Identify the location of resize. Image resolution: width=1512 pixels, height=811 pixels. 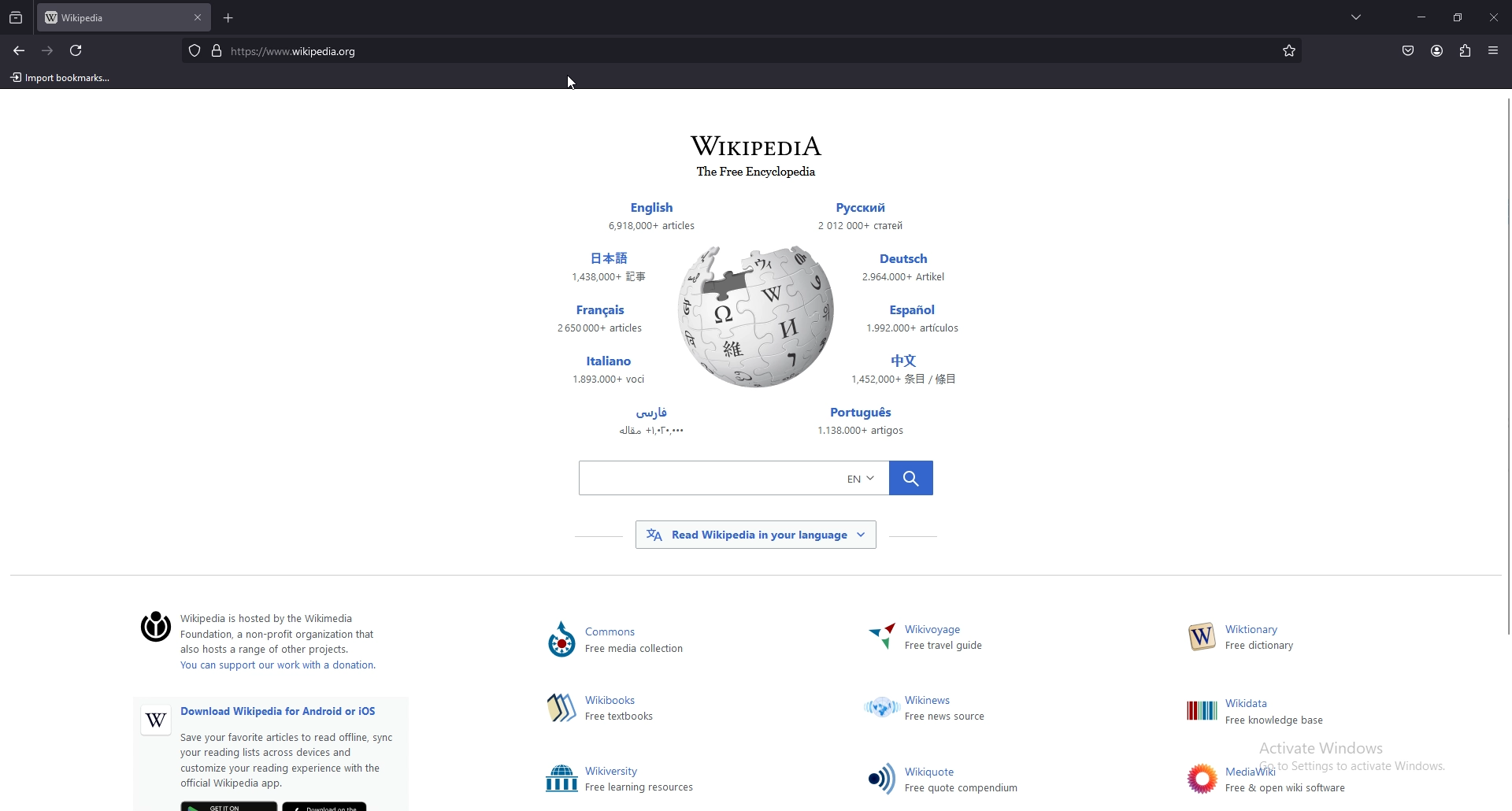
(1458, 18).